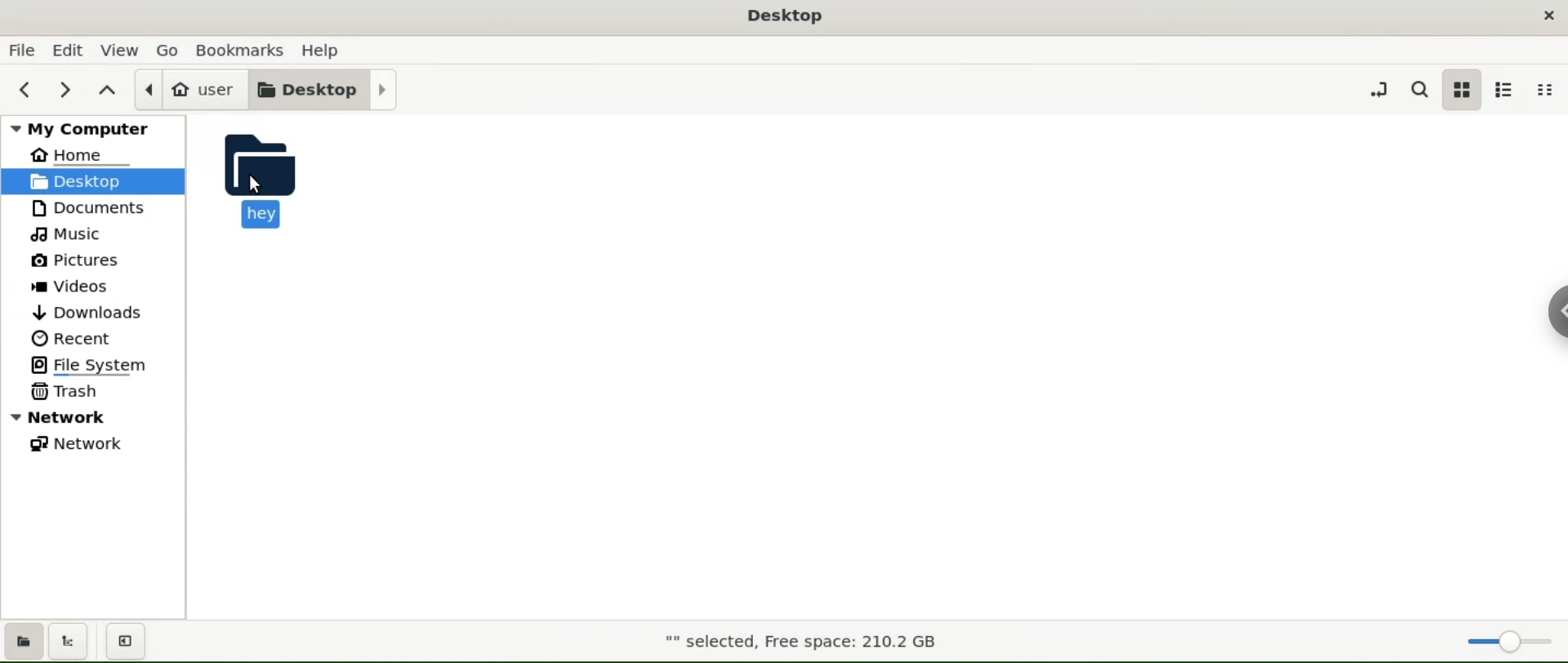  I want to click on previous, so click(25, 87).